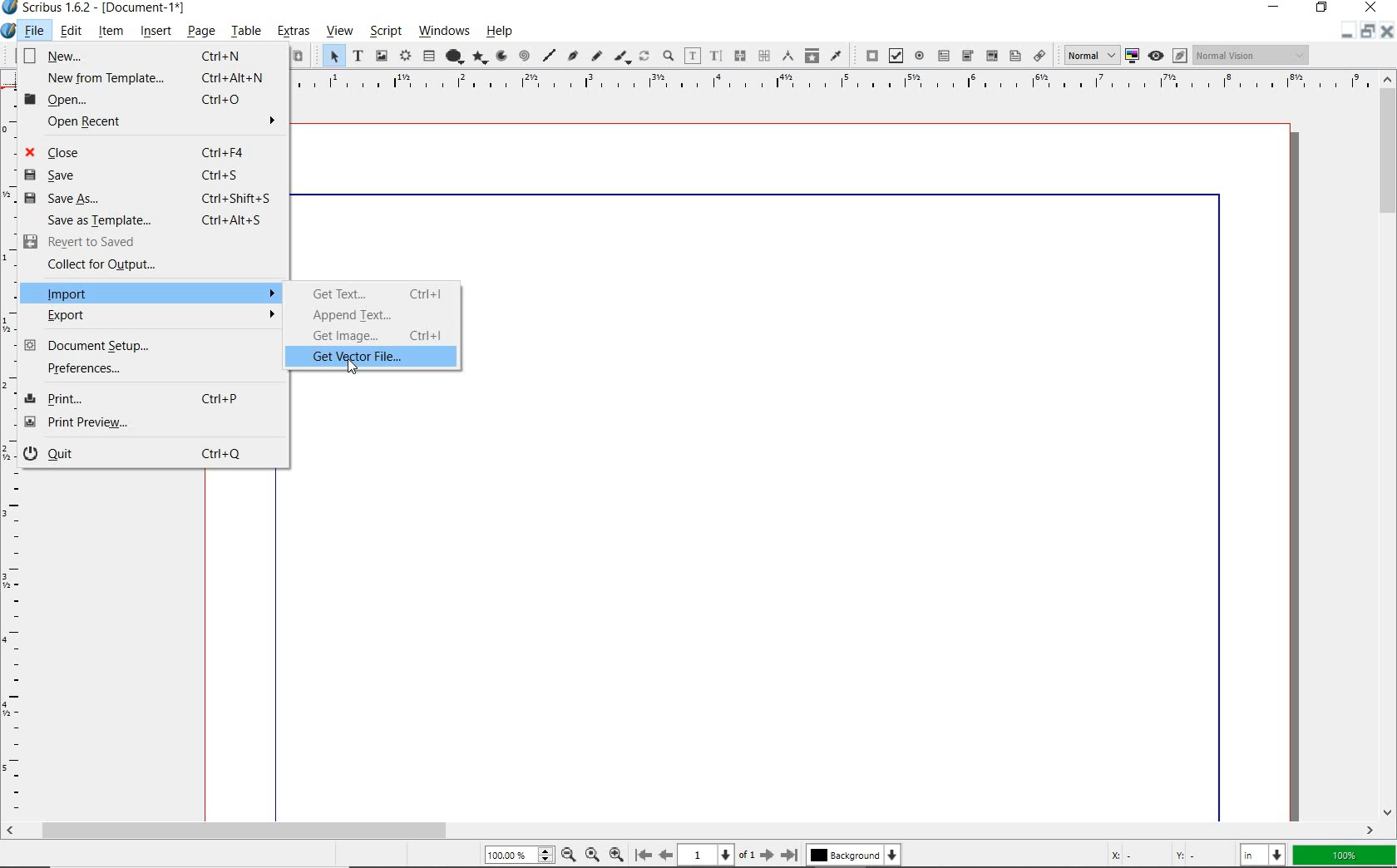 This screenshot has width=1397, height=868. I want to click on system icon, so click(10, 31).